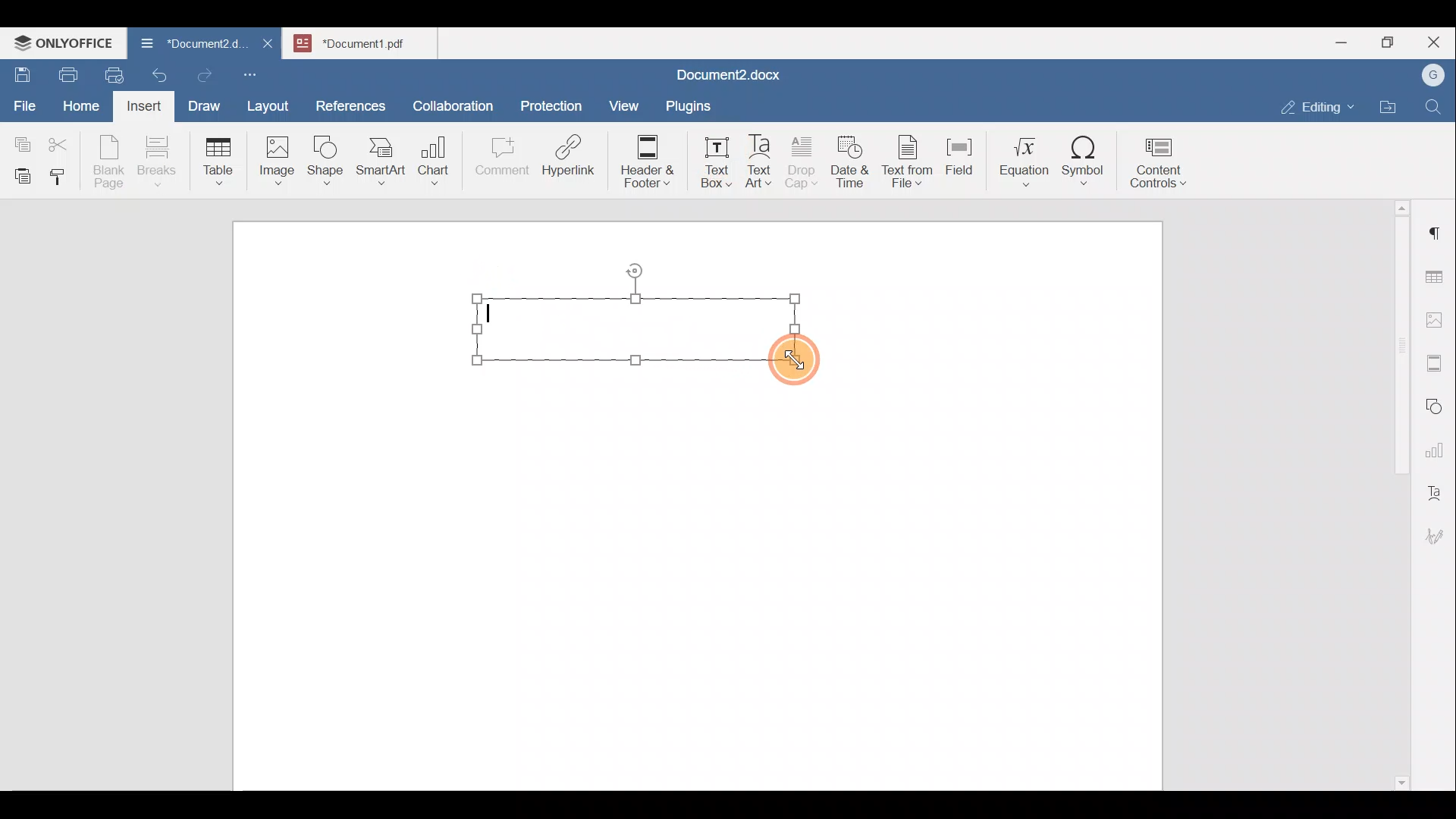  Describe the element at coordinates (20, 140) in the screenshot. I see `Copy` at that location.